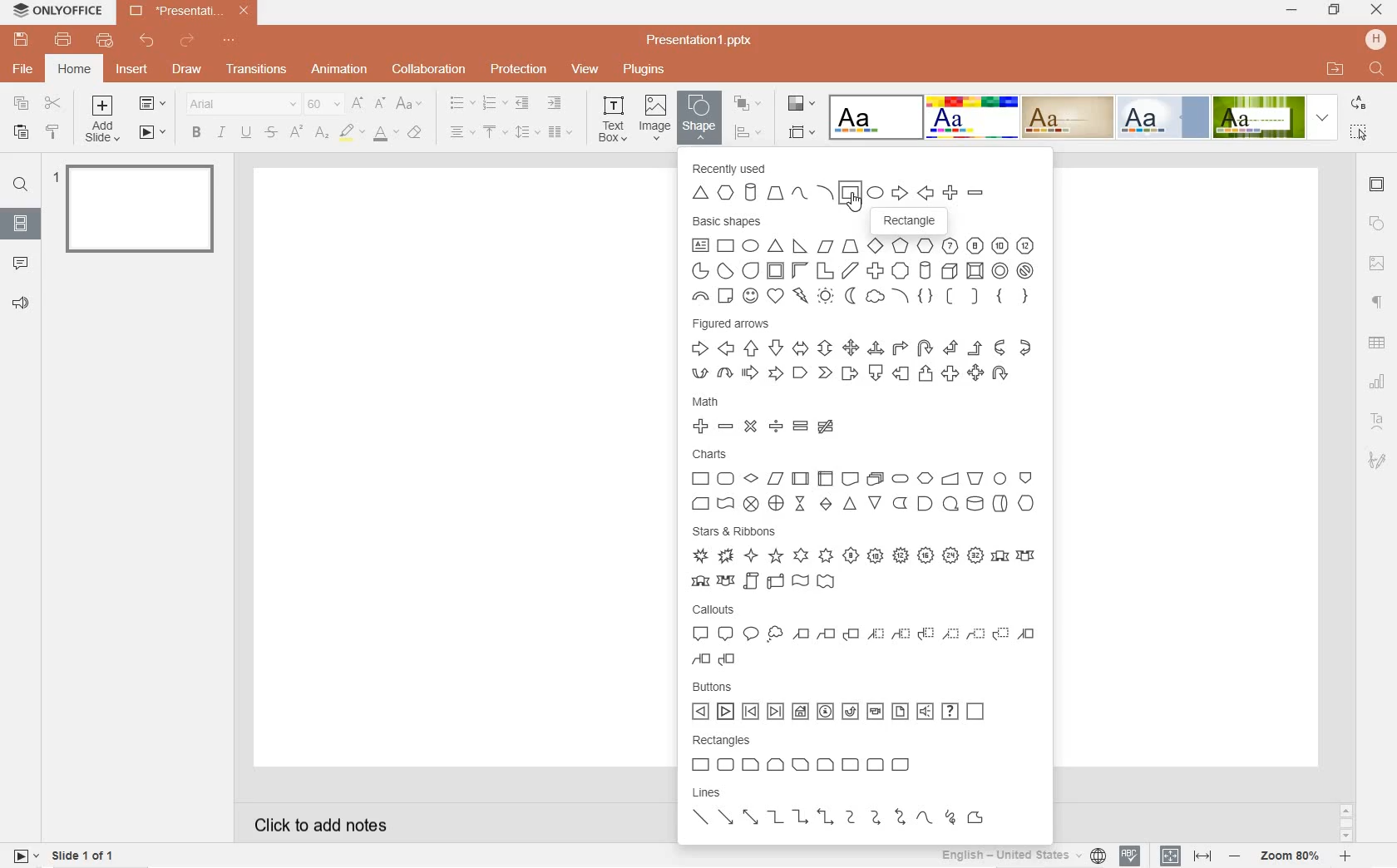 Image resolution: width=1397 pixels, height=868 pixels. I want to click on English - United States, so click(1021, 856).